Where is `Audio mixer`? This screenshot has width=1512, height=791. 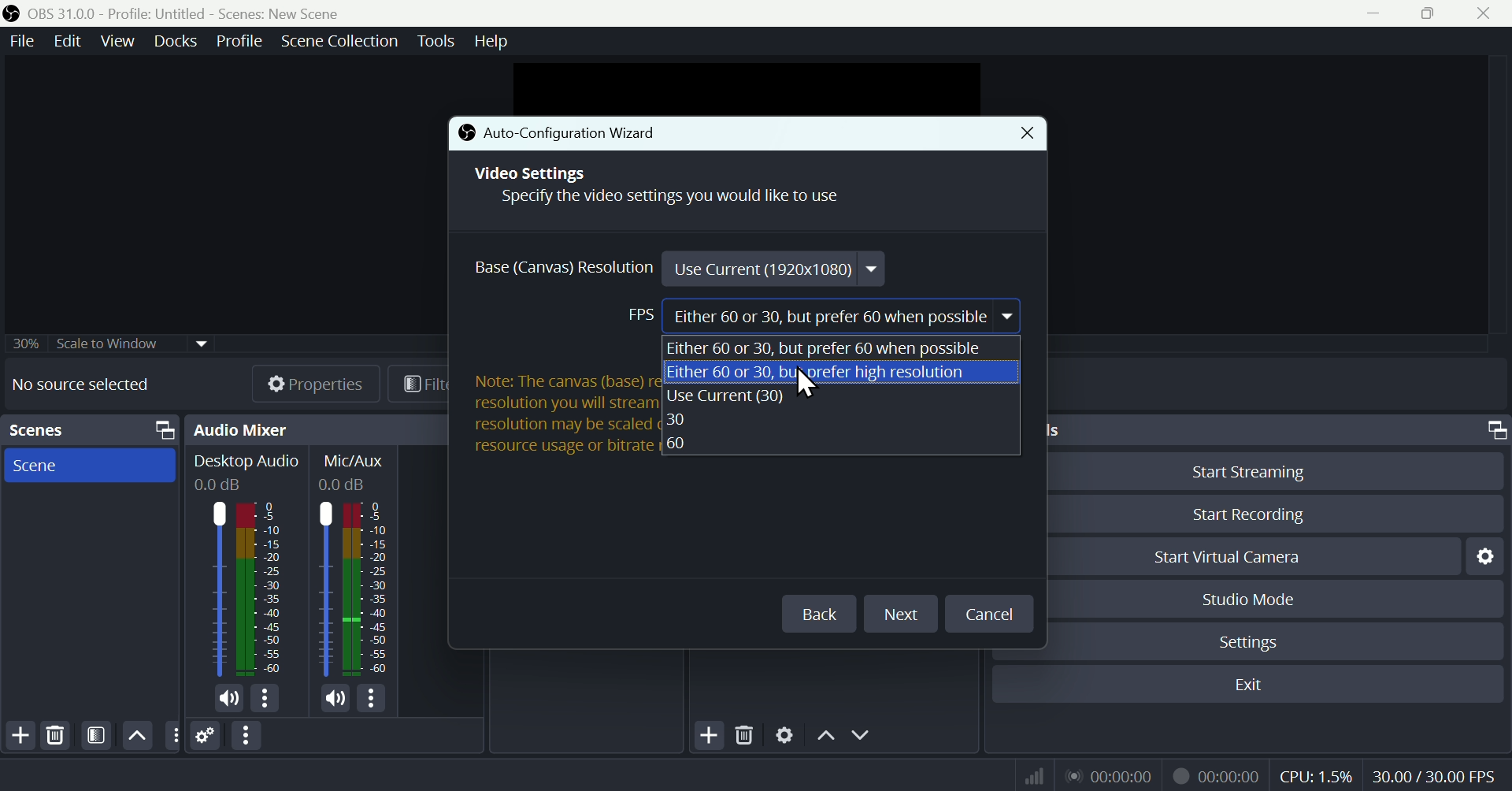 Audio mixer is located at coordinates (246, 567).